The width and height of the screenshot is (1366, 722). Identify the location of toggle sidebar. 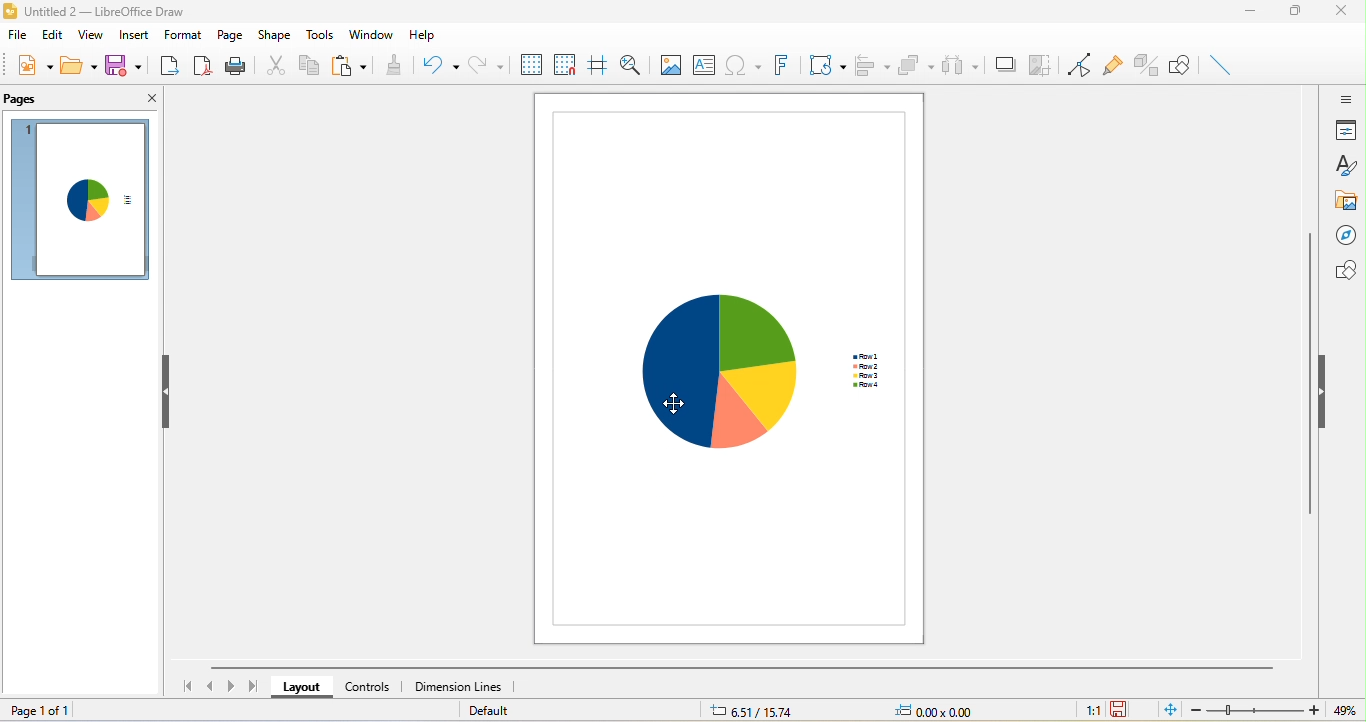
(1345, 99).